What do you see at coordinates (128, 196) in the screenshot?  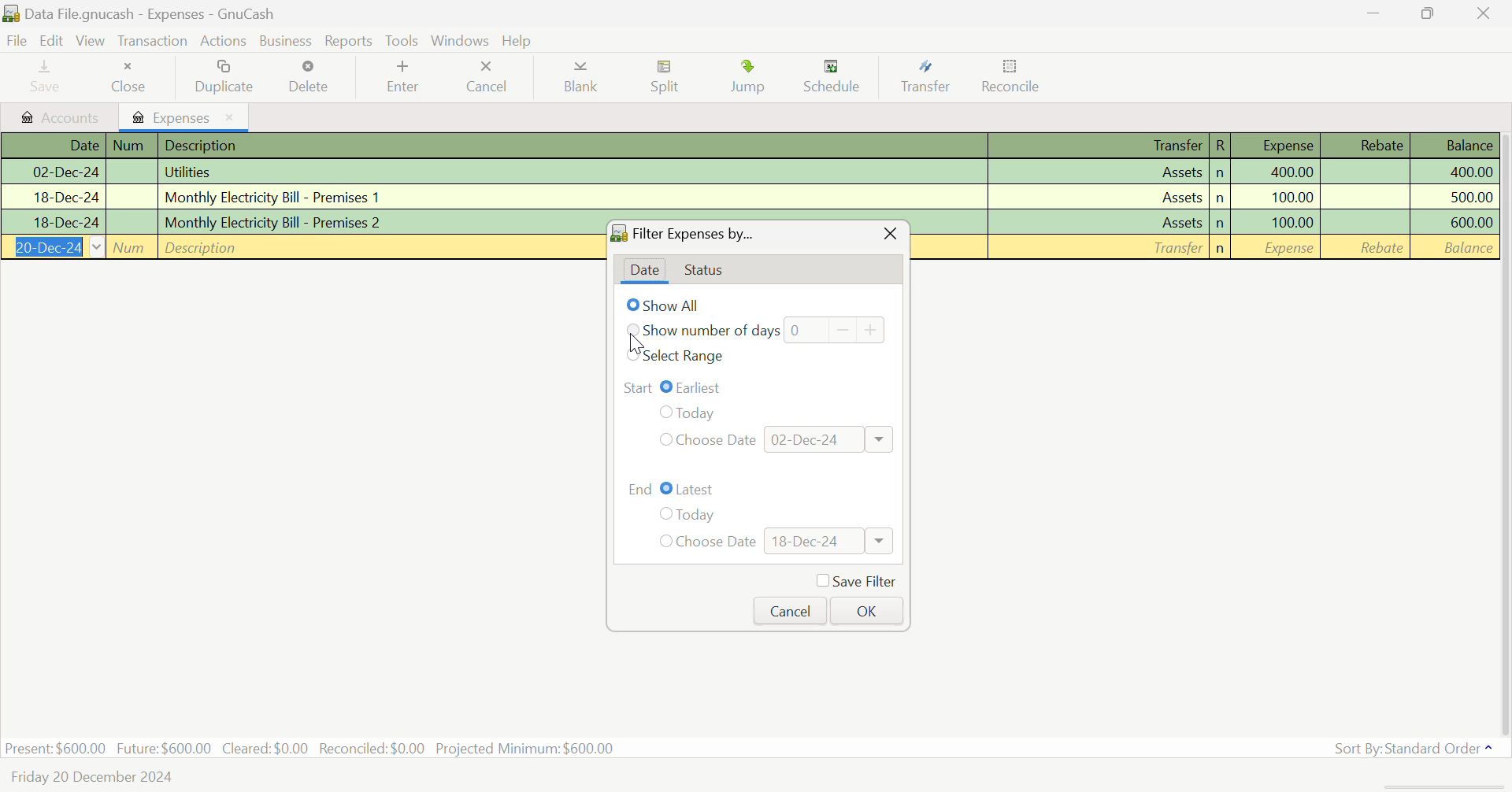 I see `Num` at bounding box center [128, 196].